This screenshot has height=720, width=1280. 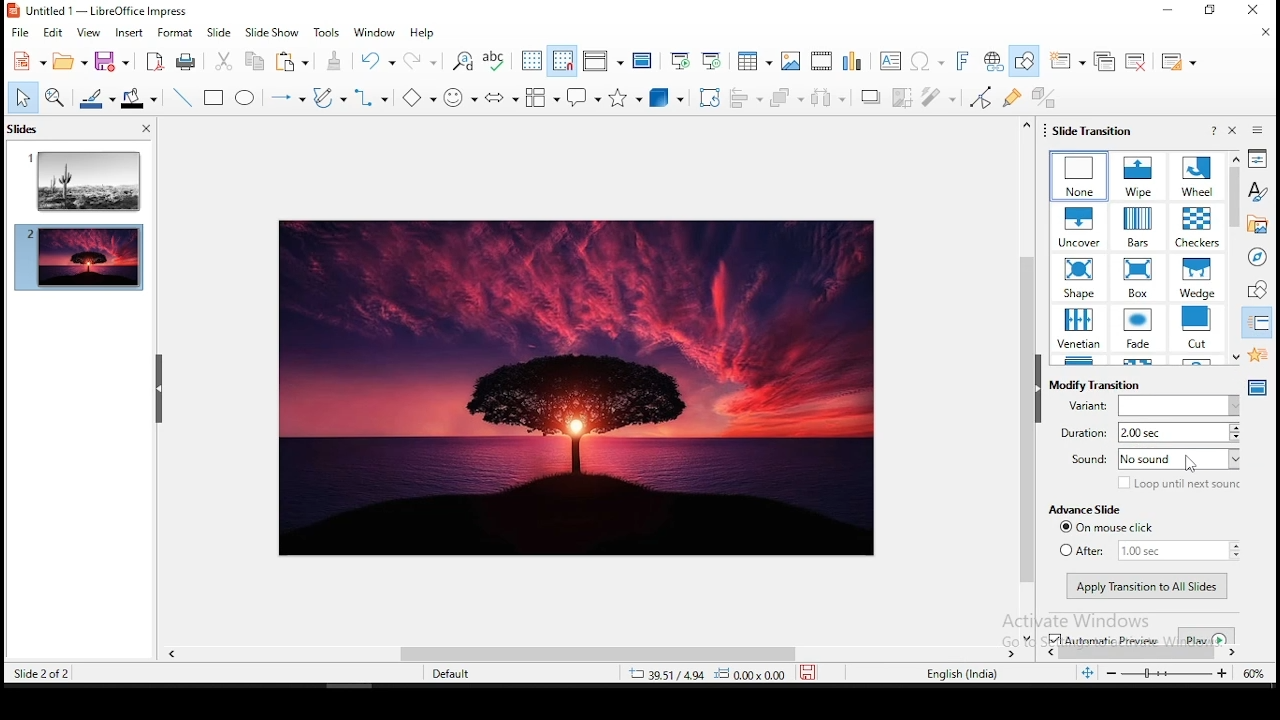 What do you see at coordinates (533, 61) in the screenshot?
I see `show grid` at bounding box center [533, 61].